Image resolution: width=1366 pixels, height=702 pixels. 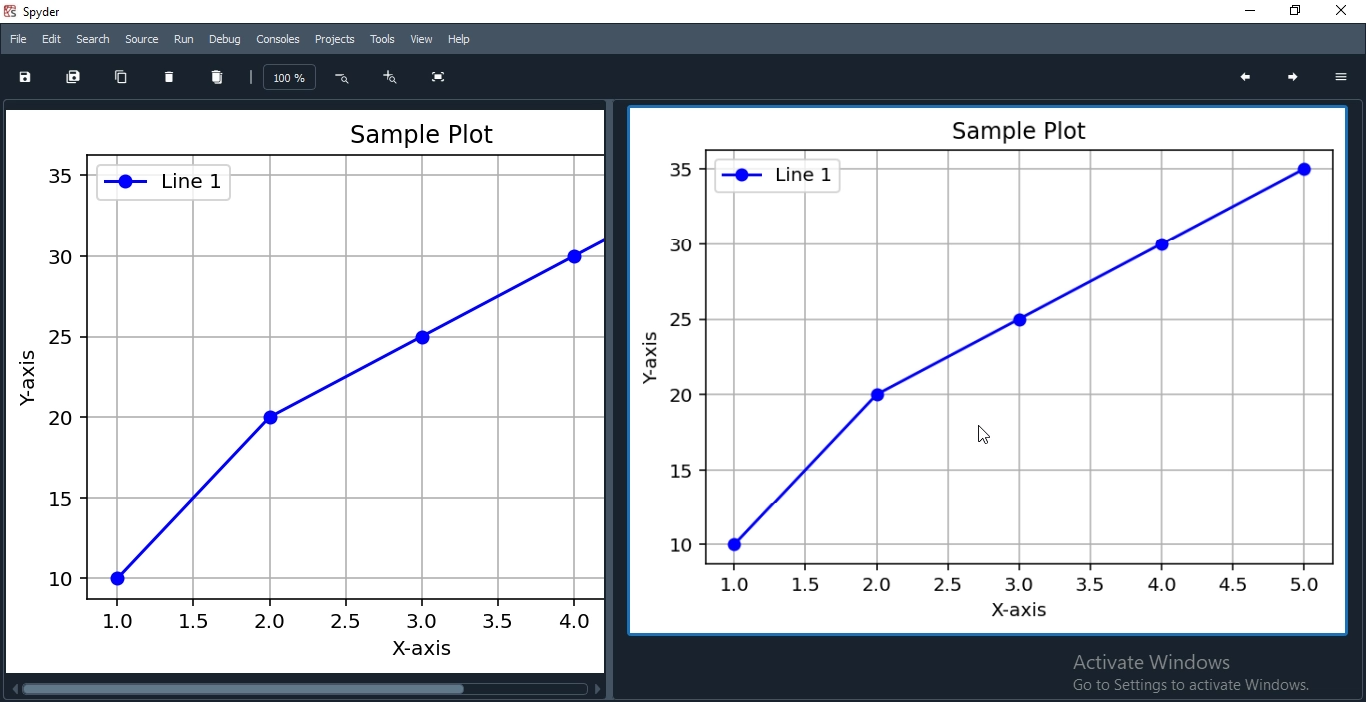 What do you see at coordinates (17, 38) in the screenshot?
I see `File ` at bounding box center [17, 38].